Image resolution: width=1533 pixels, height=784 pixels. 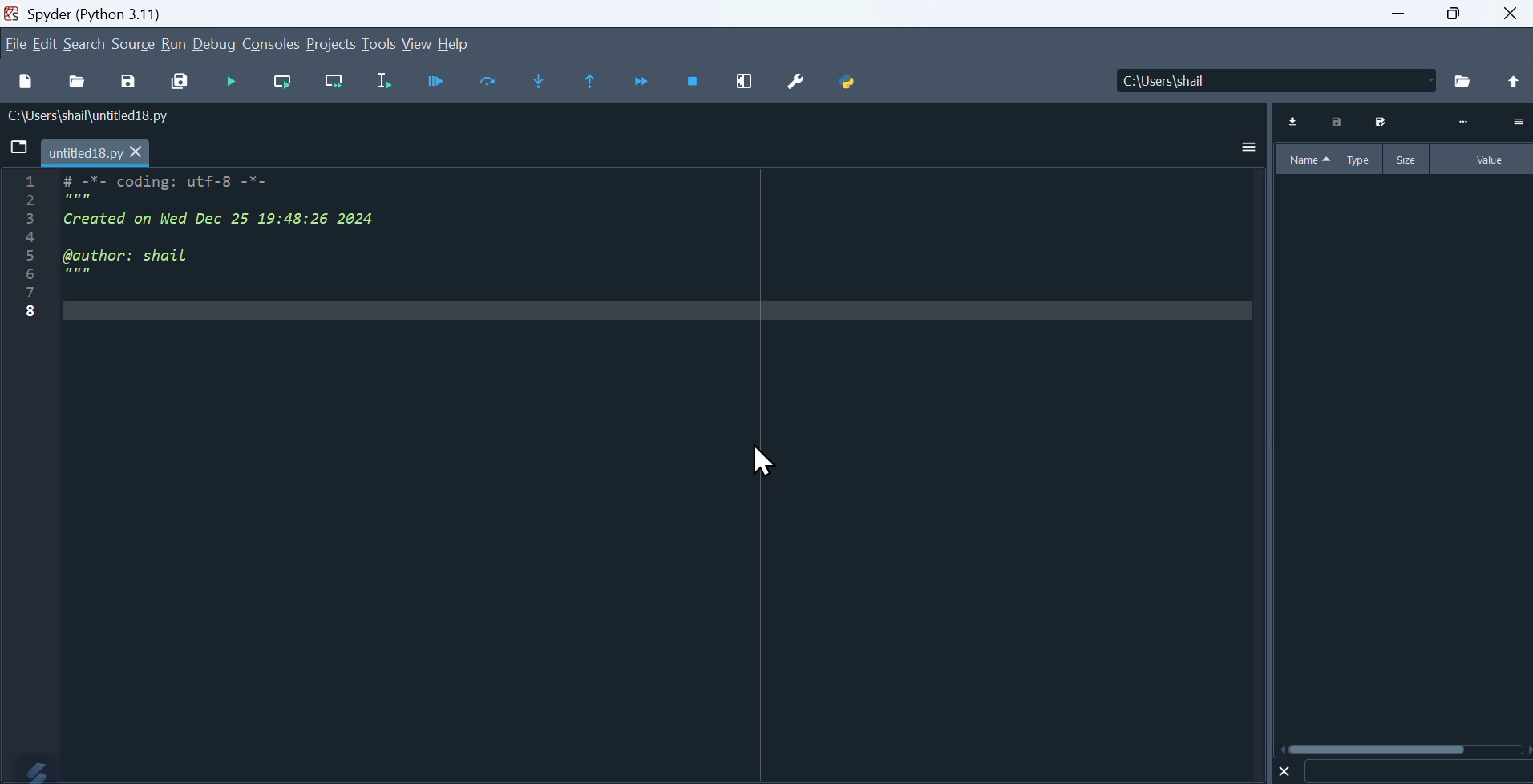 What do you see at coordinates (1285, 770) in the screenshot?
I see `Close` at bounding box center [1285, 770].